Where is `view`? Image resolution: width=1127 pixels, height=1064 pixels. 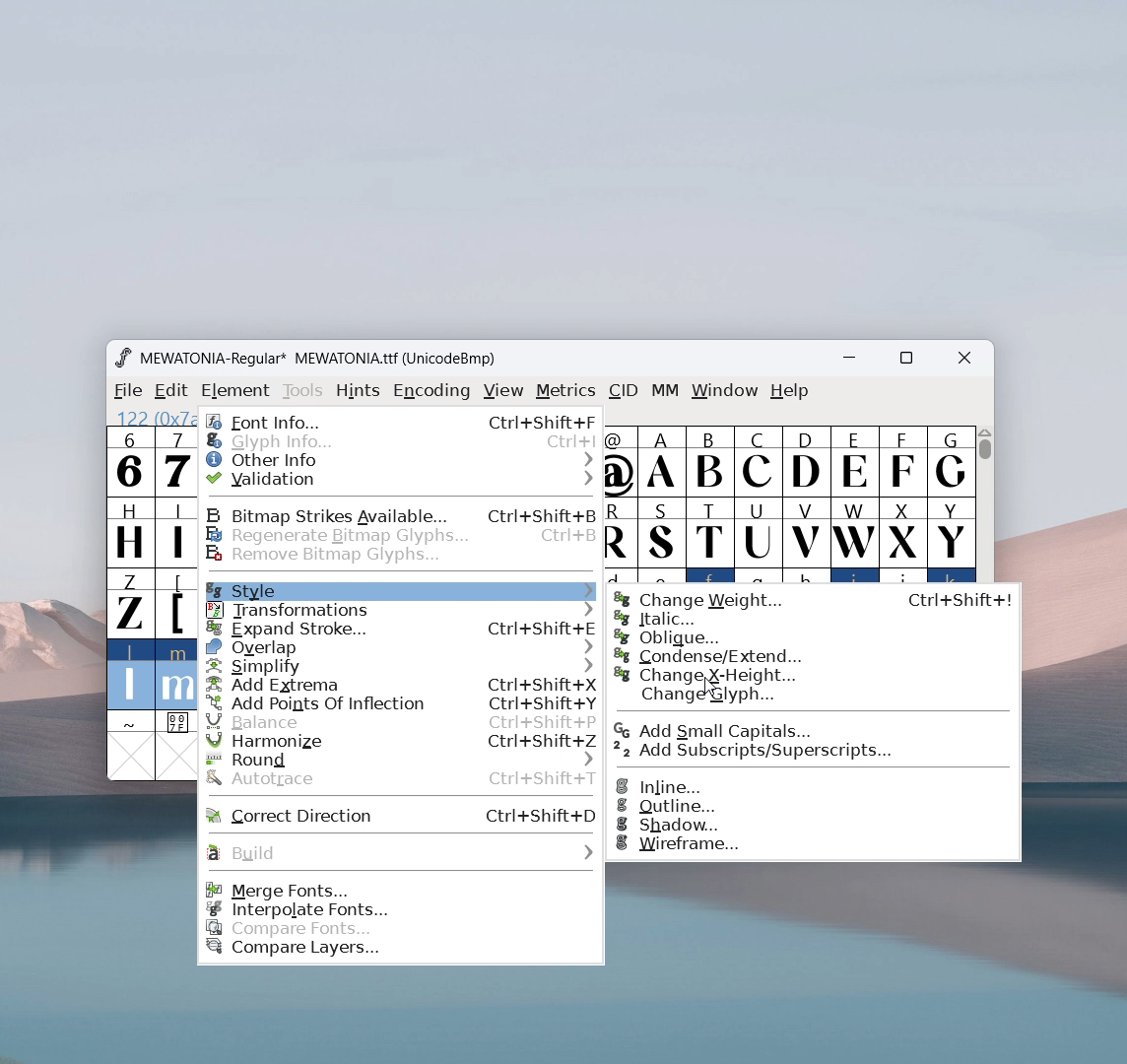 view is located at coordinates (503, 391).